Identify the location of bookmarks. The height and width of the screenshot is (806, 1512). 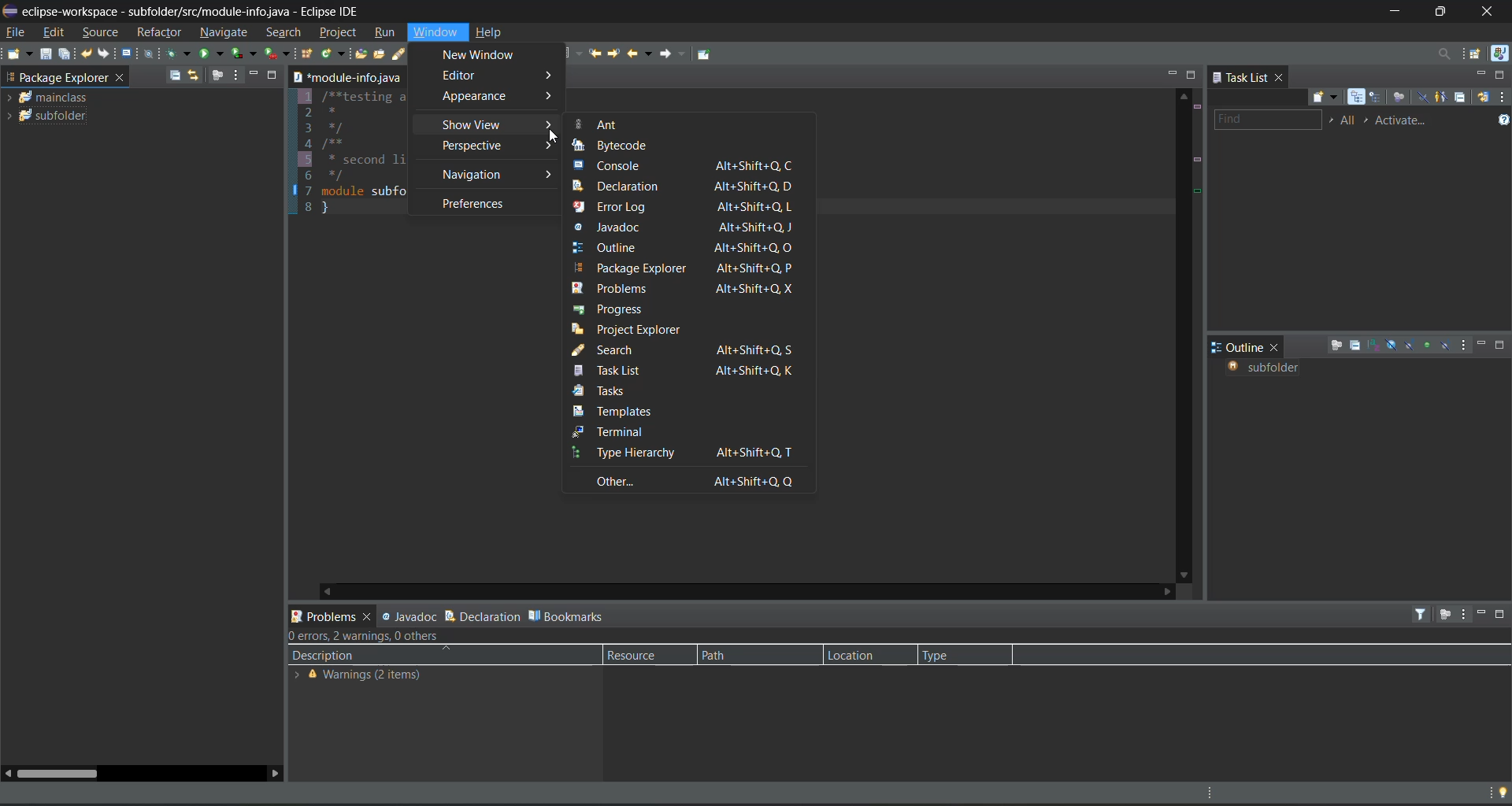
(565, 616).